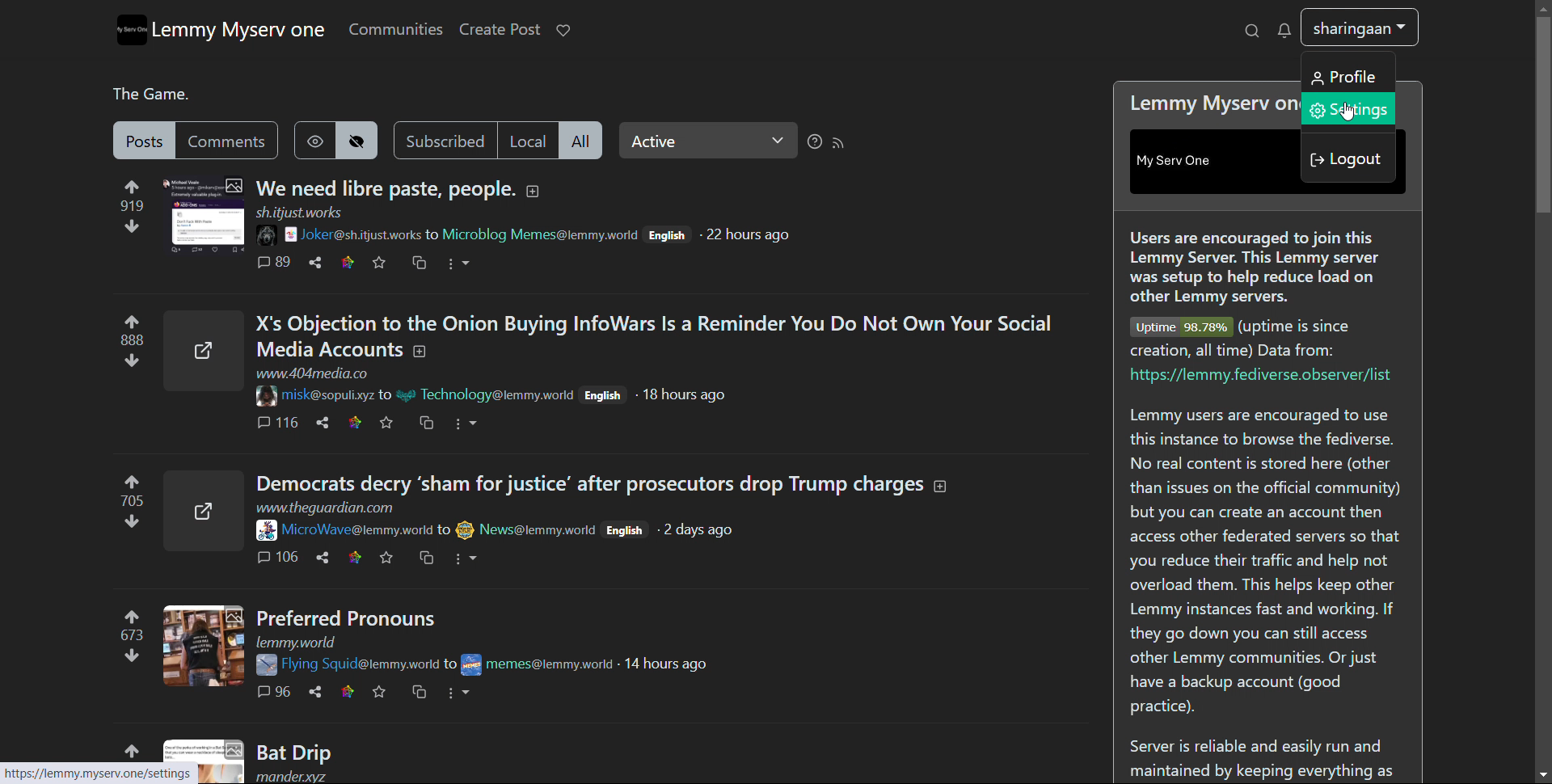  What do you see at coordinates (358, 557) in the screenshot?
I see `link` at bounding box center [358, 557].